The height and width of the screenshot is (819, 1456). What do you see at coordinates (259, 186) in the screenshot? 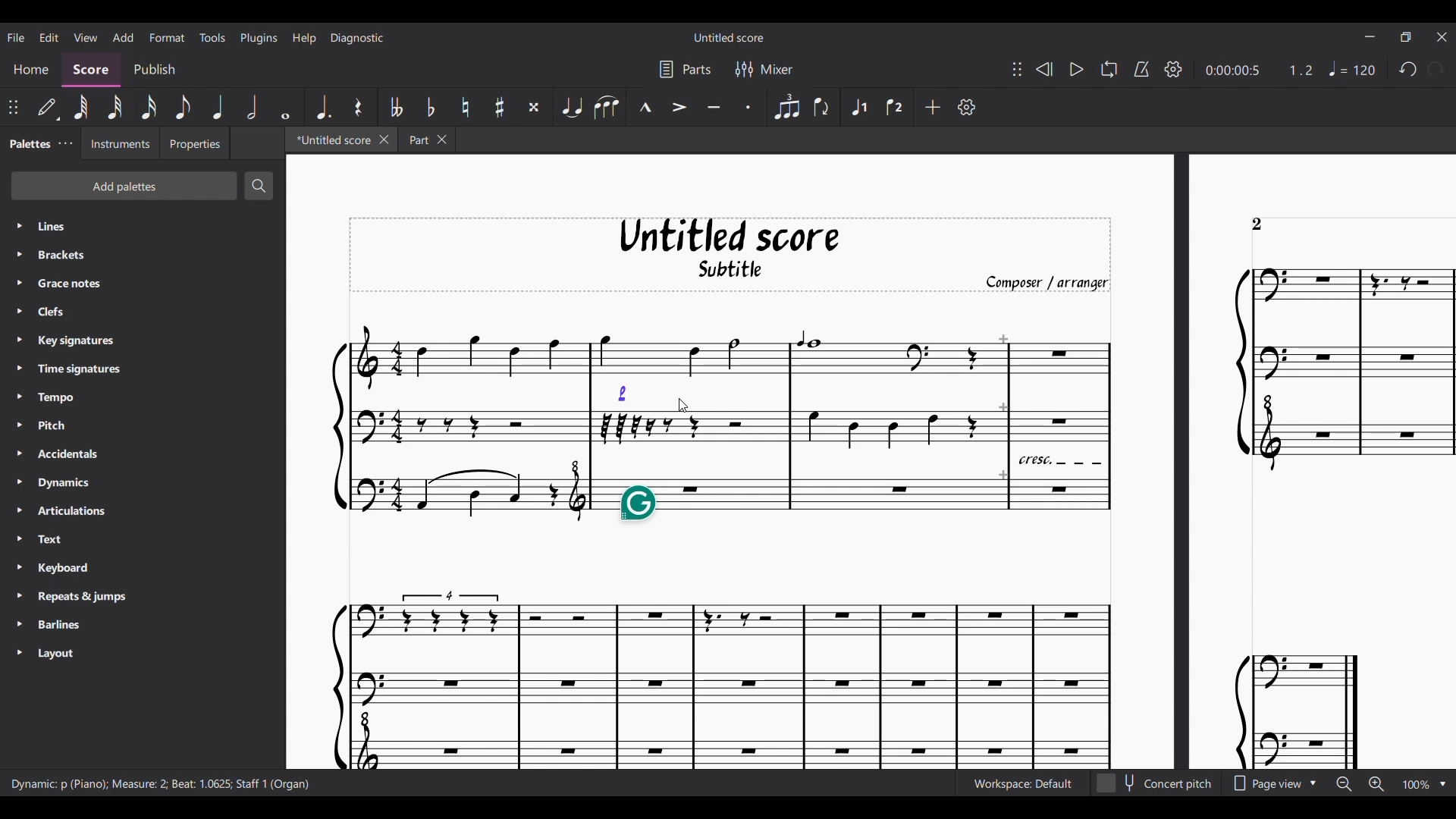
I see `Search palette` at bounding box center [259, 186].